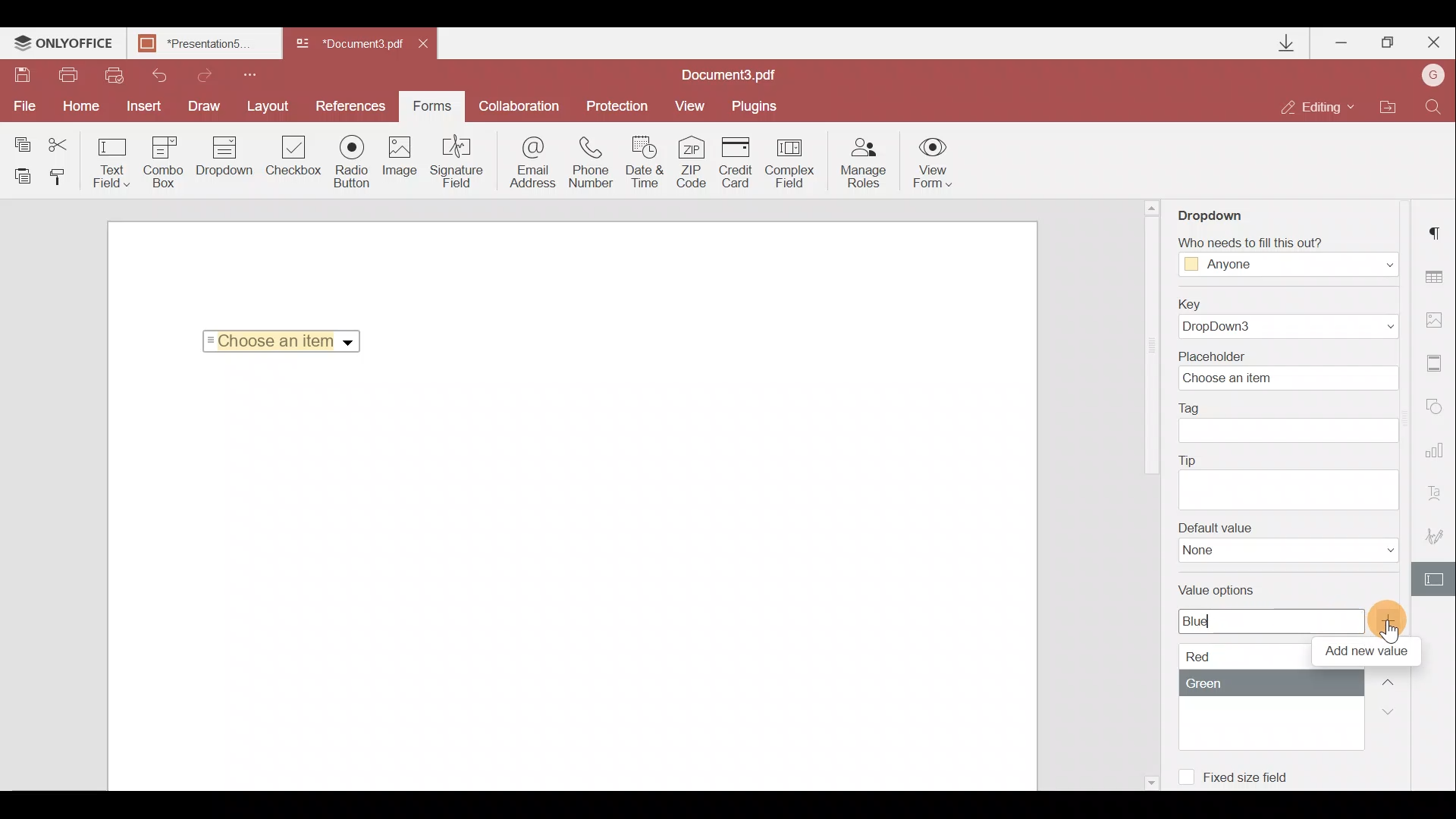 The image size is (1456, 819). I want to click on Insert, so click(147, 106).